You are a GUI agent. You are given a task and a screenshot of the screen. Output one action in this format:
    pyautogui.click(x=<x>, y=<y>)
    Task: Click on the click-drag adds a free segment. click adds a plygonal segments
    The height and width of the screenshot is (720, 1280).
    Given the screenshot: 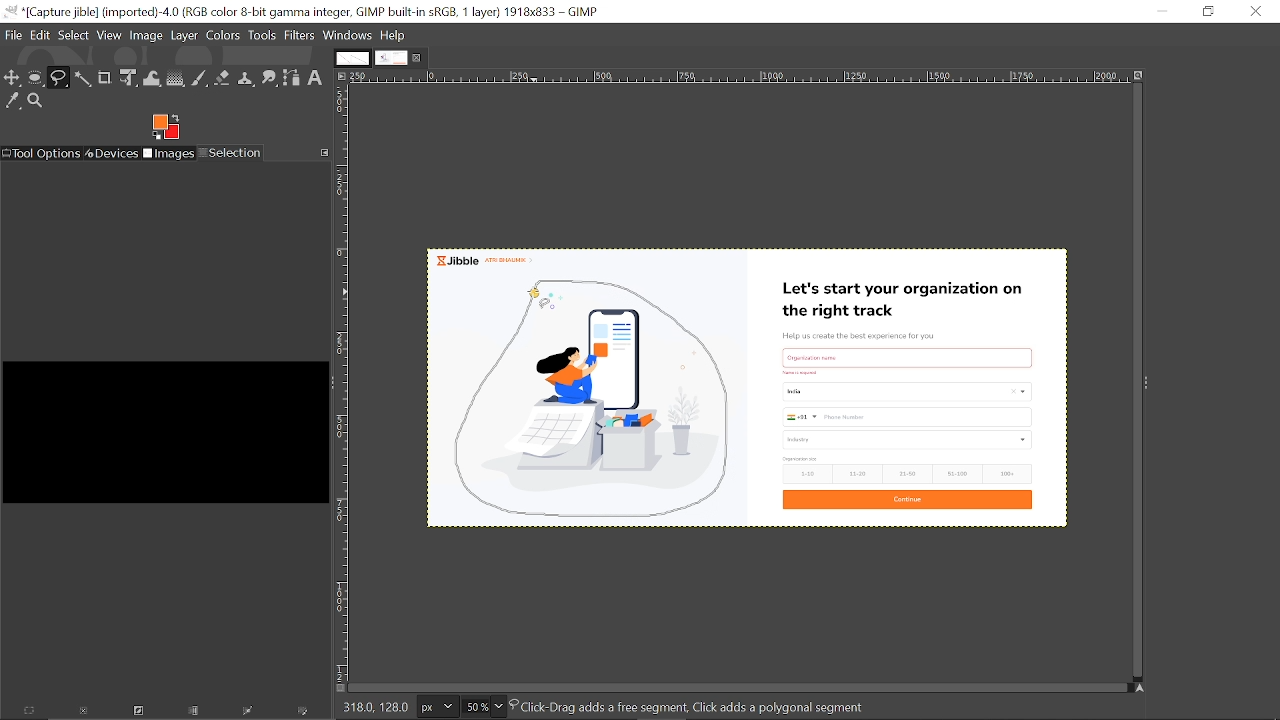 What is the action you would take?
    pyautogui.click(x=694, y=706)
    